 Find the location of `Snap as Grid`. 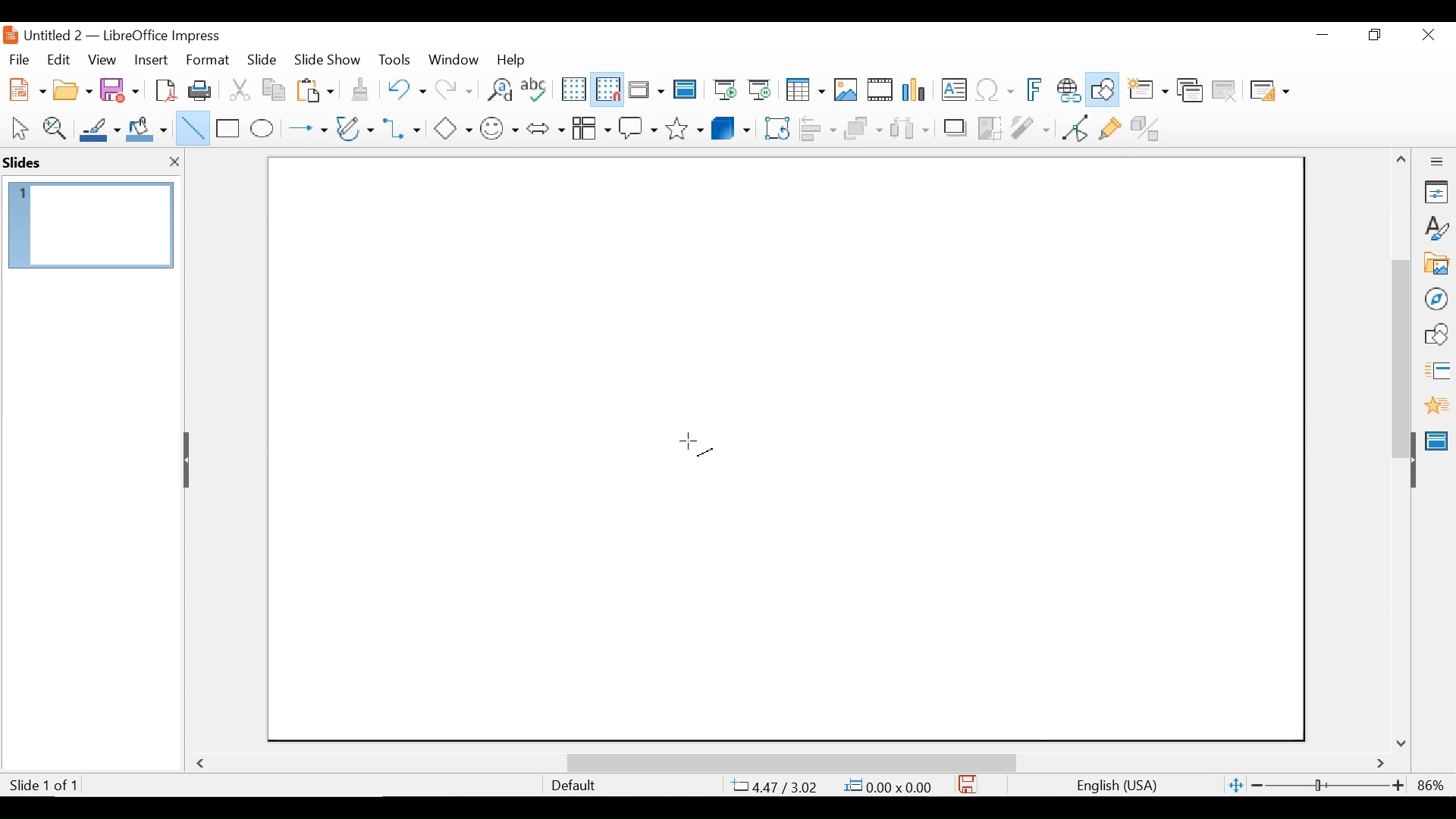

Snap as Grid is located at coordinates (607, 89).